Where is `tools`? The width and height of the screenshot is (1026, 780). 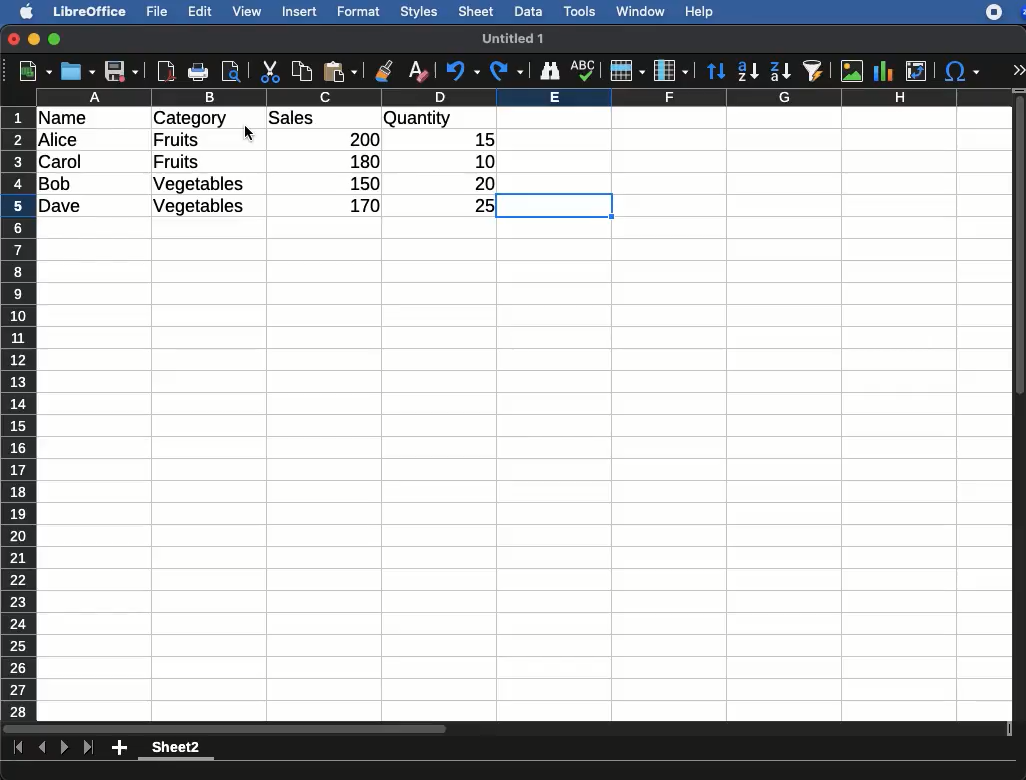
tools is located at coordinates (581, 11).